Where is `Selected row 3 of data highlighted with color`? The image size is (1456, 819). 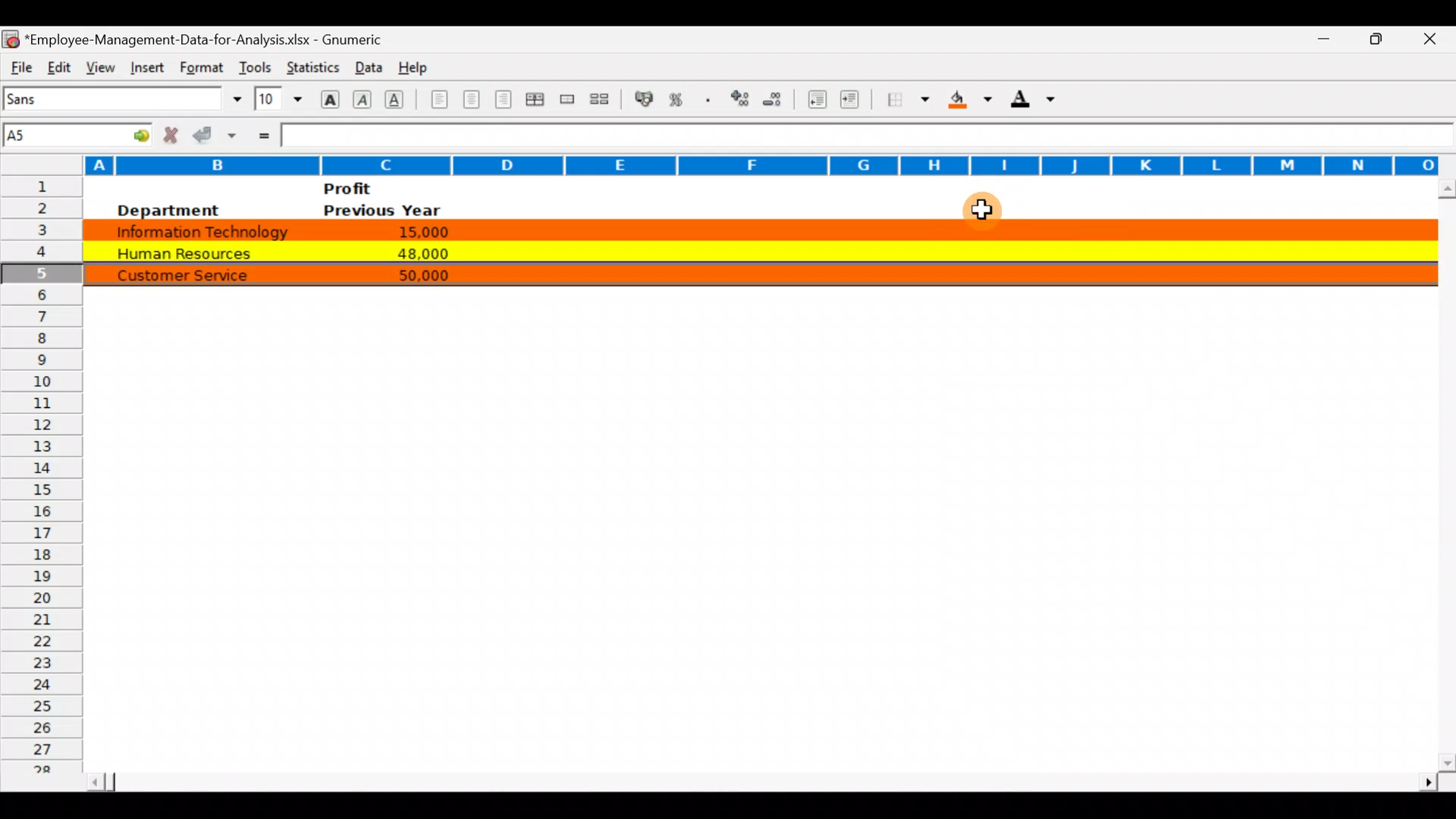 Selected row 3 of data highlighted with color is located at coordinates (754, 227).